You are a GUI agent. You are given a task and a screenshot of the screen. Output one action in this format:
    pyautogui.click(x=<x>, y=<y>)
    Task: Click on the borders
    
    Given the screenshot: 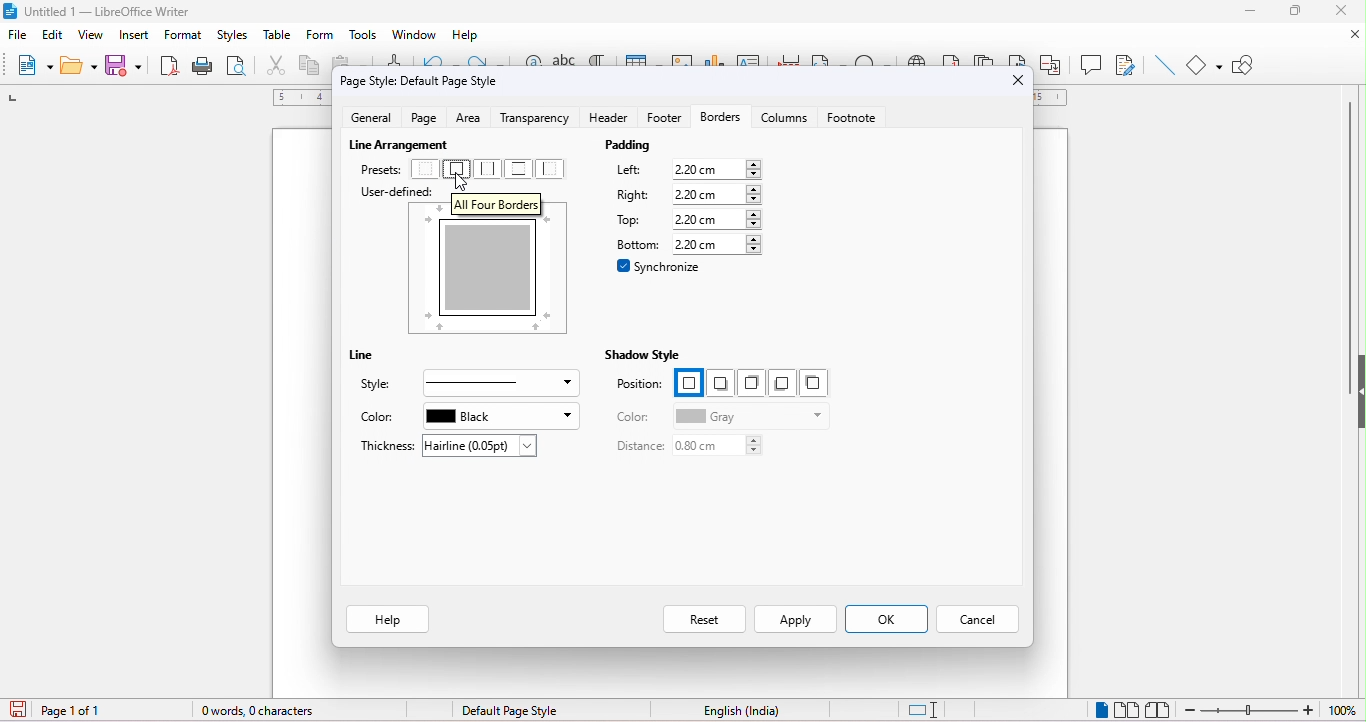 What is the action you would take?
    pyautogui.click(x=719, y=119)
    